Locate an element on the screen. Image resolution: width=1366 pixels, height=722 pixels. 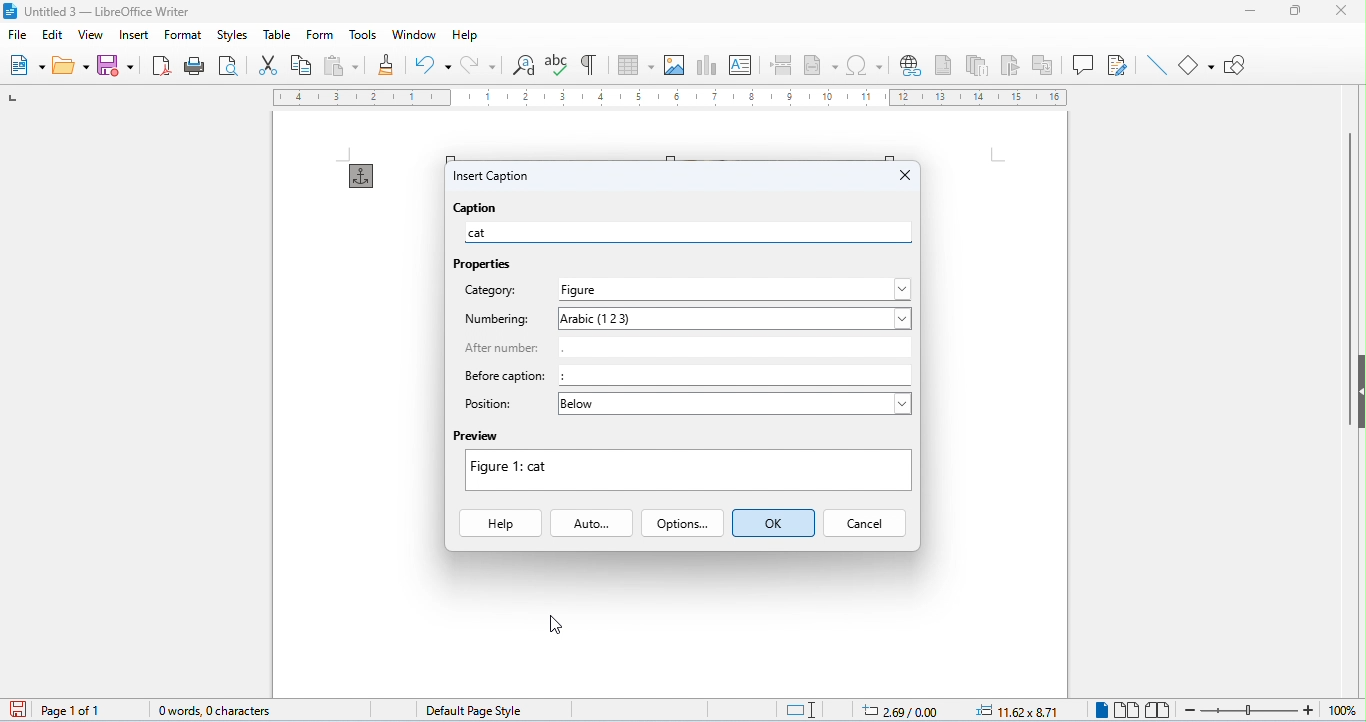
view is located at coordinates (89, 34).